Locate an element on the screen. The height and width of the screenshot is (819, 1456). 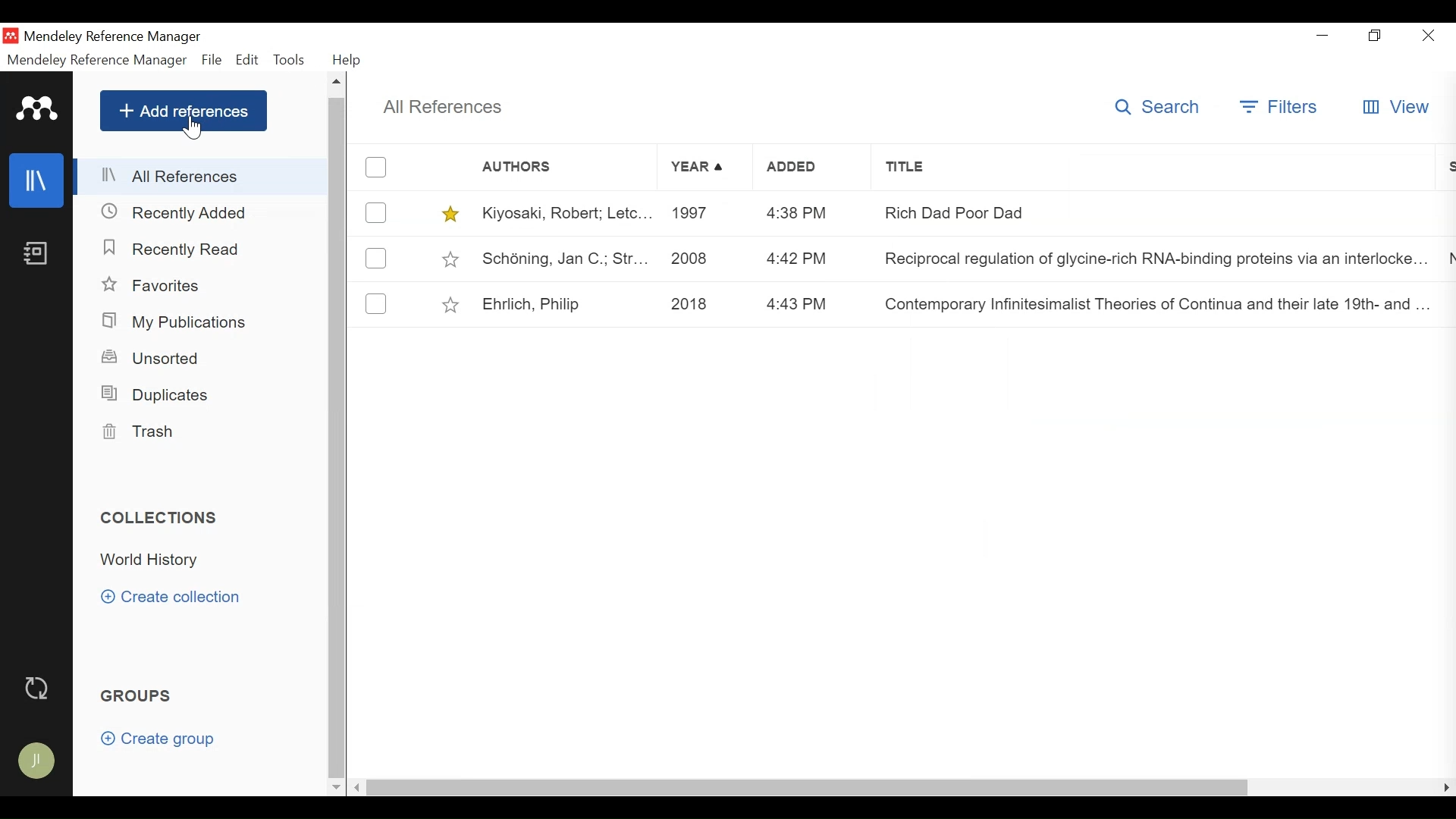
Close is located at coordinates (1430, 36).